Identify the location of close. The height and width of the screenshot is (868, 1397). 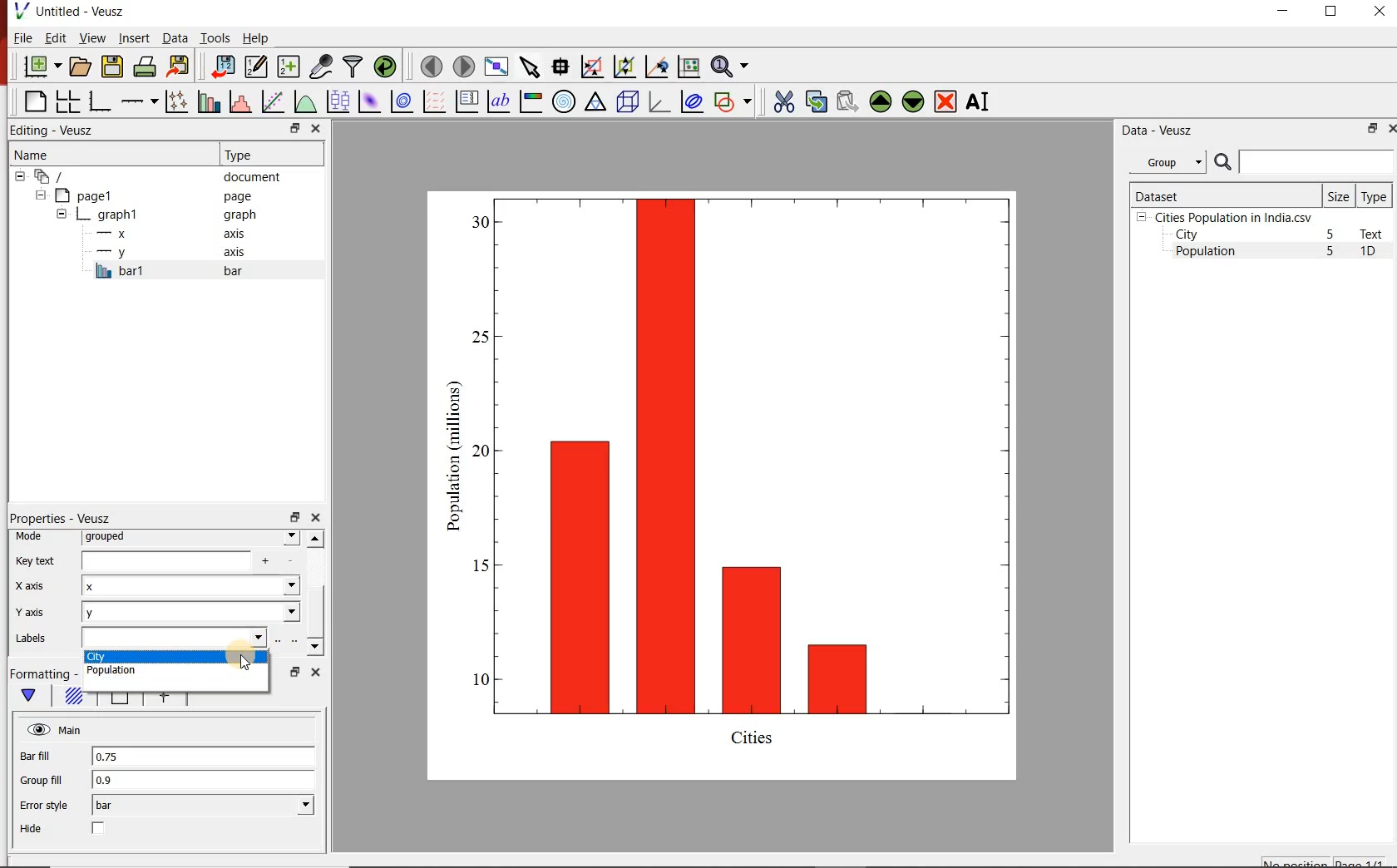
(315, 518).